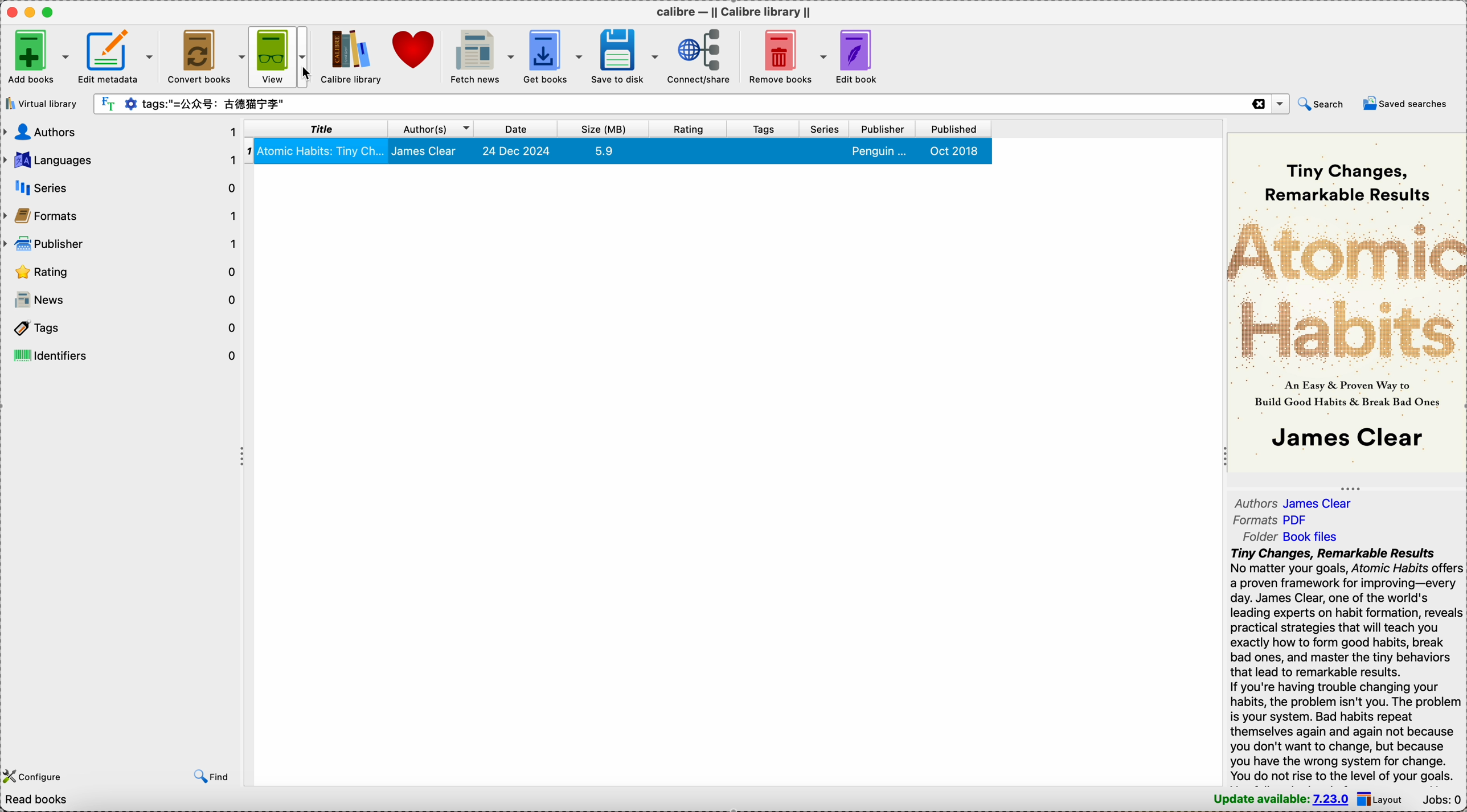  I want to click on search, so click(1321, 104).